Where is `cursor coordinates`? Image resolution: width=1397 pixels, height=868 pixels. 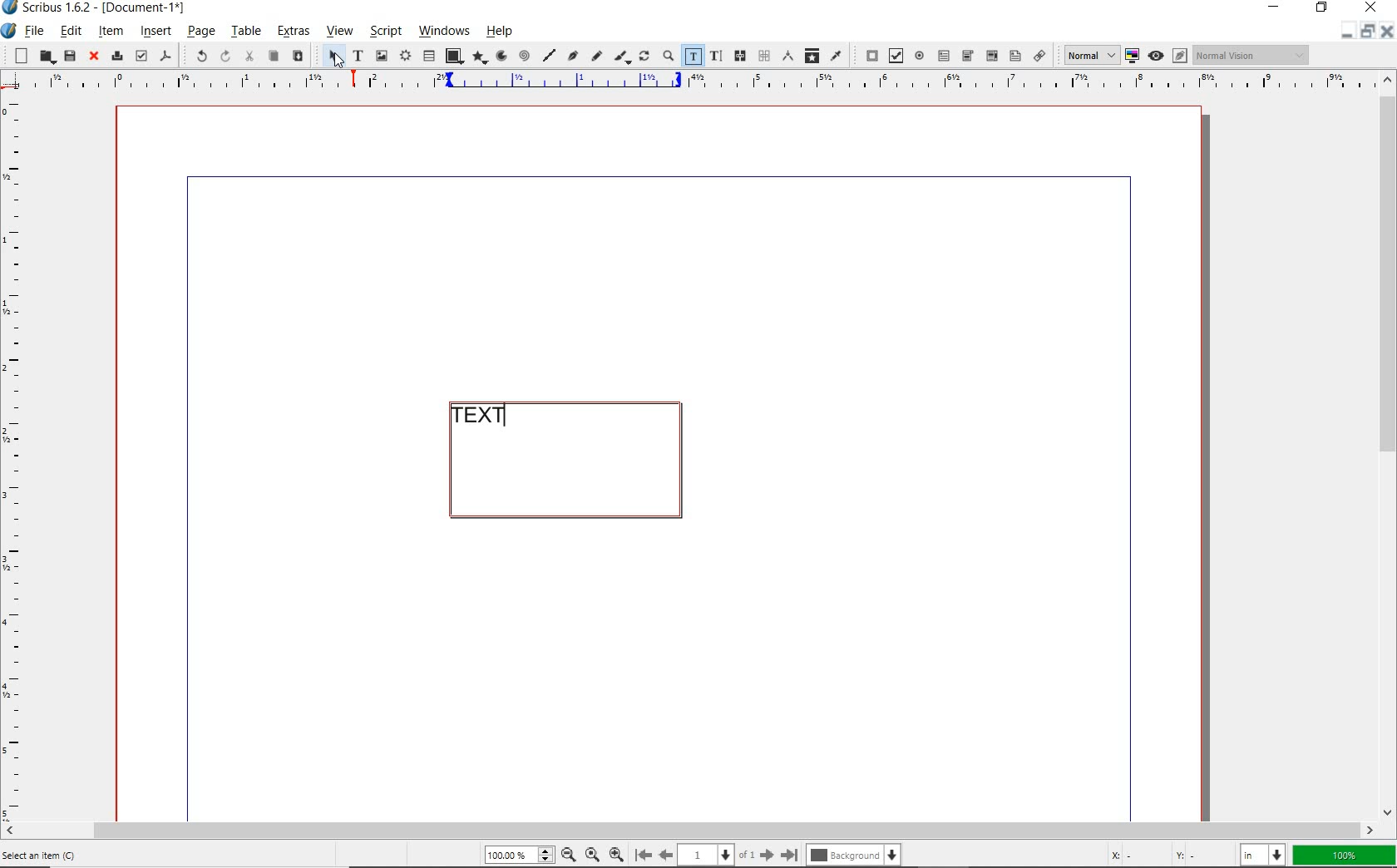
cursor coordinates is located at coordinates (1164, 855).